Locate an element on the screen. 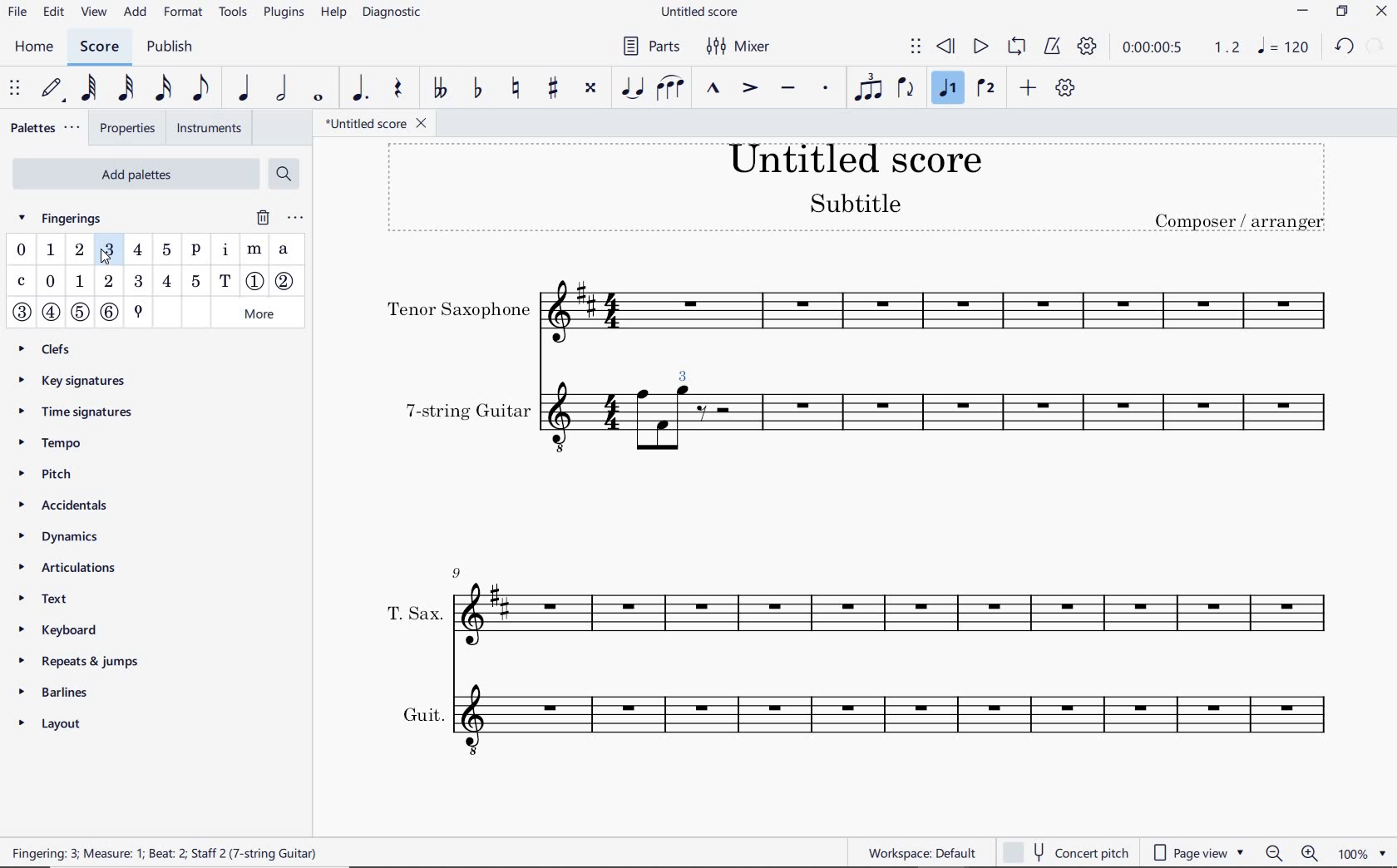  BARLINES is located at coordinates (58, 691).